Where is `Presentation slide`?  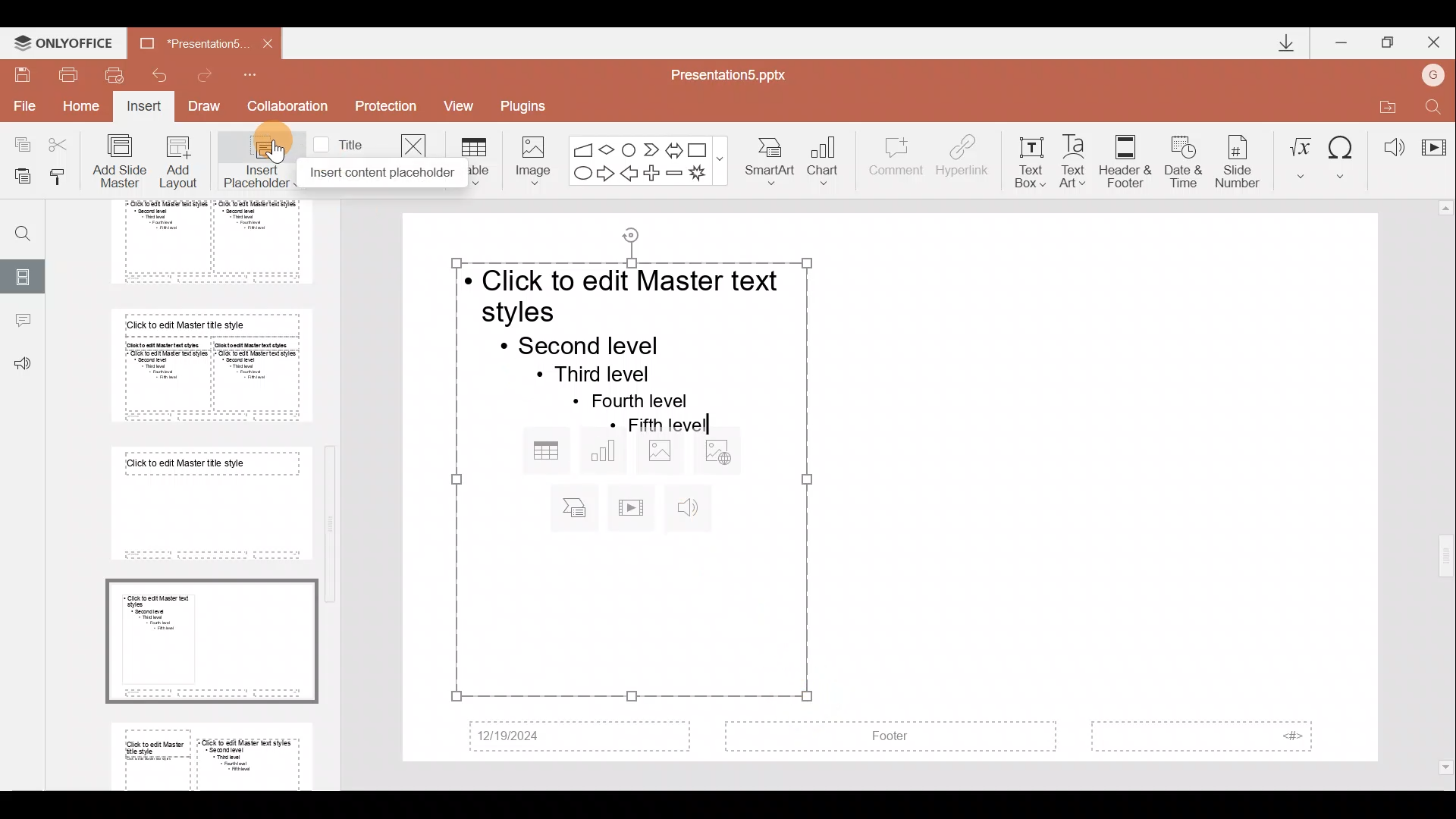 Presentation slide is located at coordinates (1134, 488).